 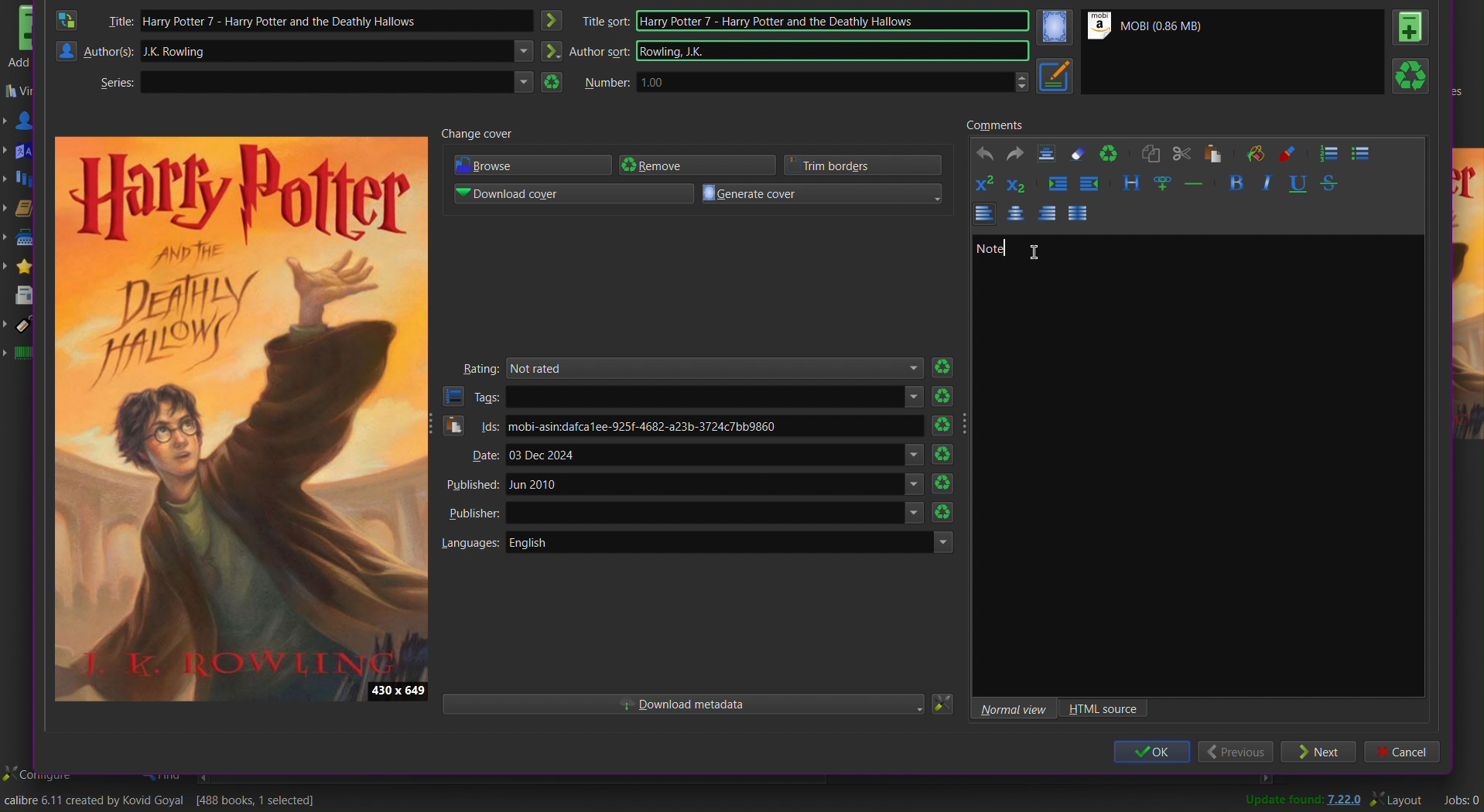 What do you see at coordinates (24, 241) in the screenshot?
I see `Publisher` at bounding box center [24, 241].